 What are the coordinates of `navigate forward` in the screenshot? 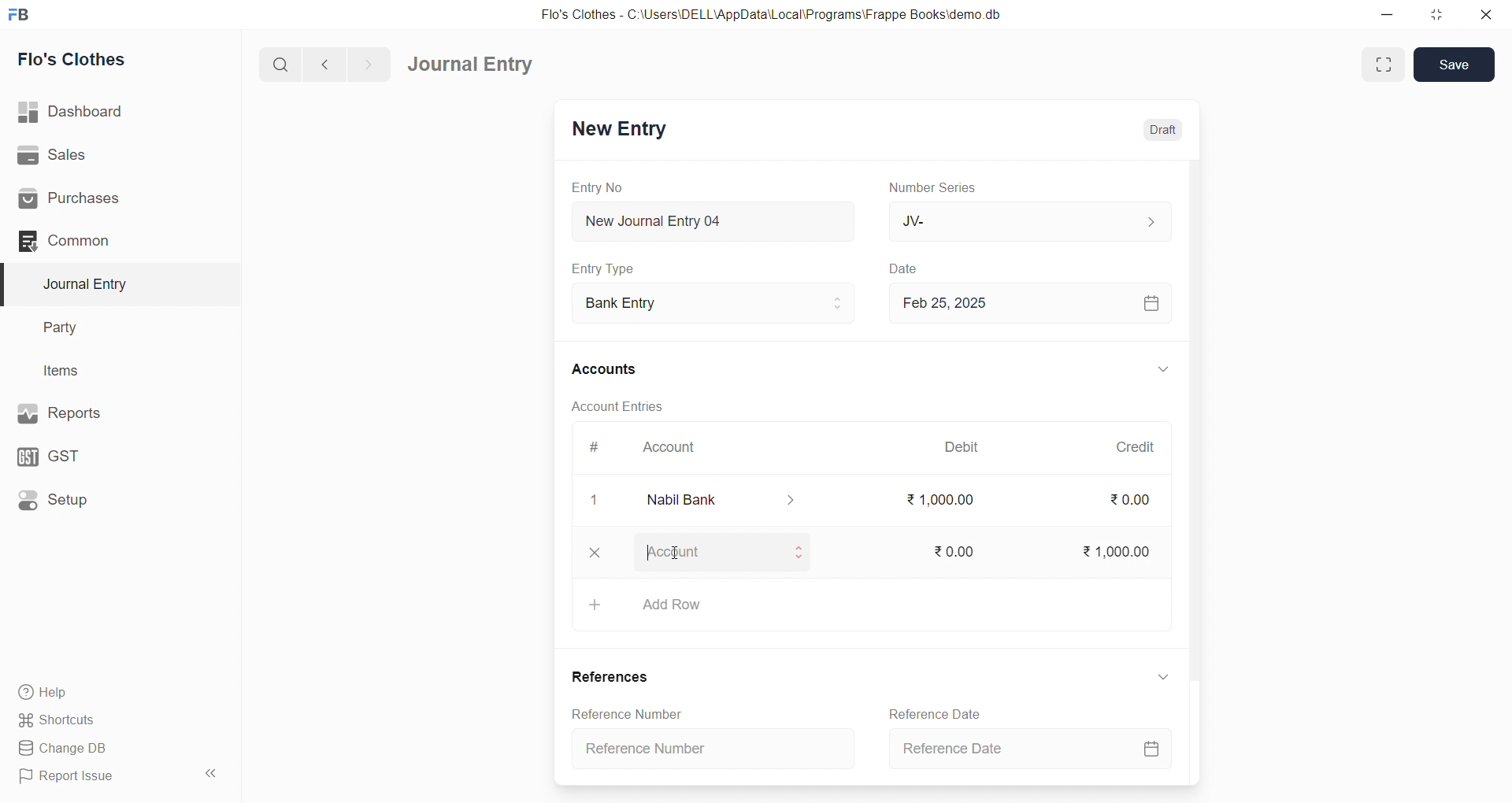 It's located at (368, 63).